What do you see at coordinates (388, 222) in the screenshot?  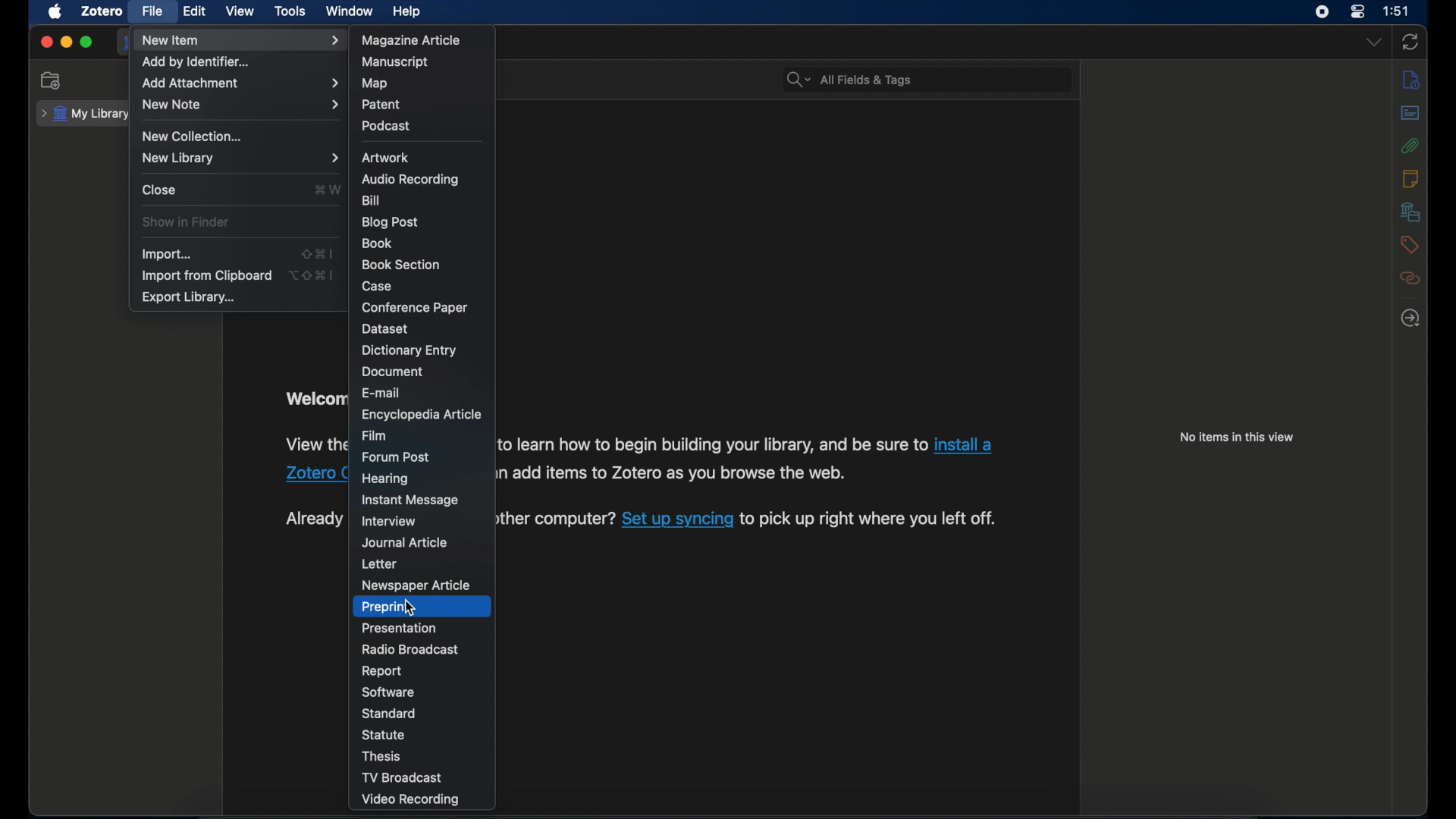 I see `blog post` at bounding box center [388, 222].